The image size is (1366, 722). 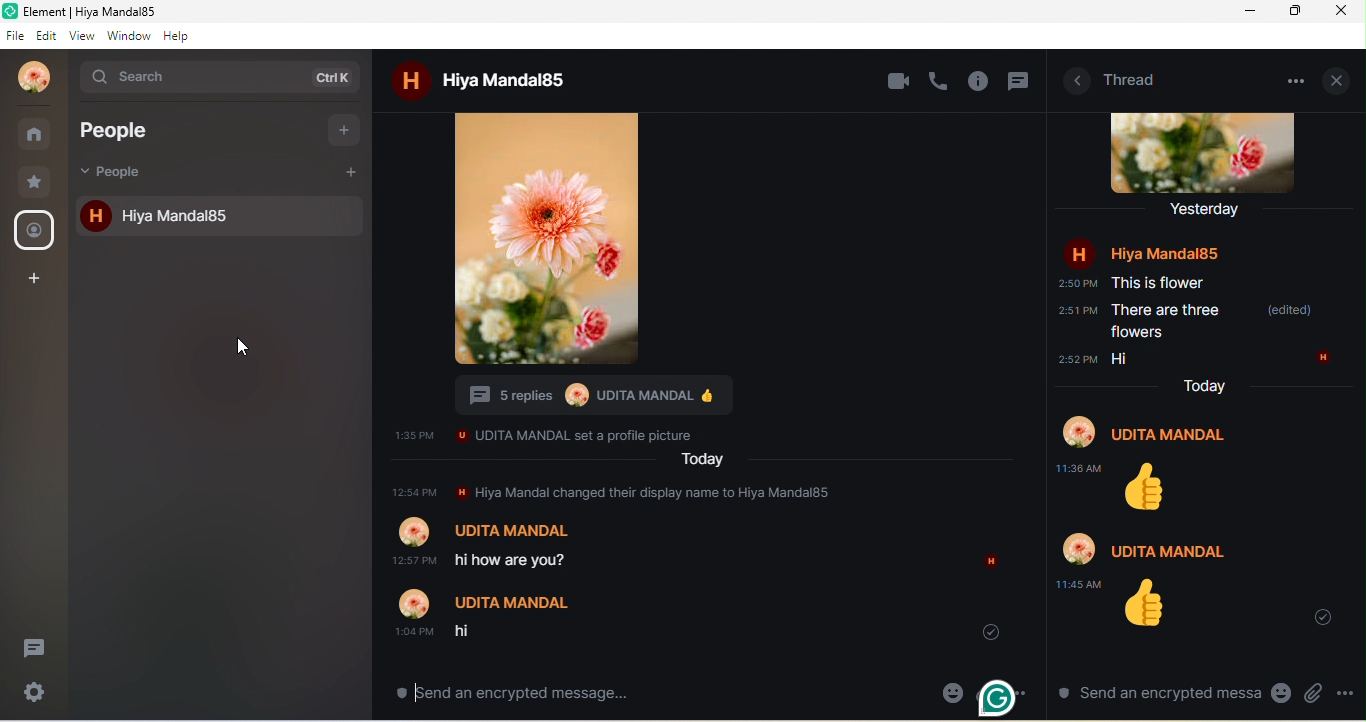 I want to click on add, so click(x=345, y=130).